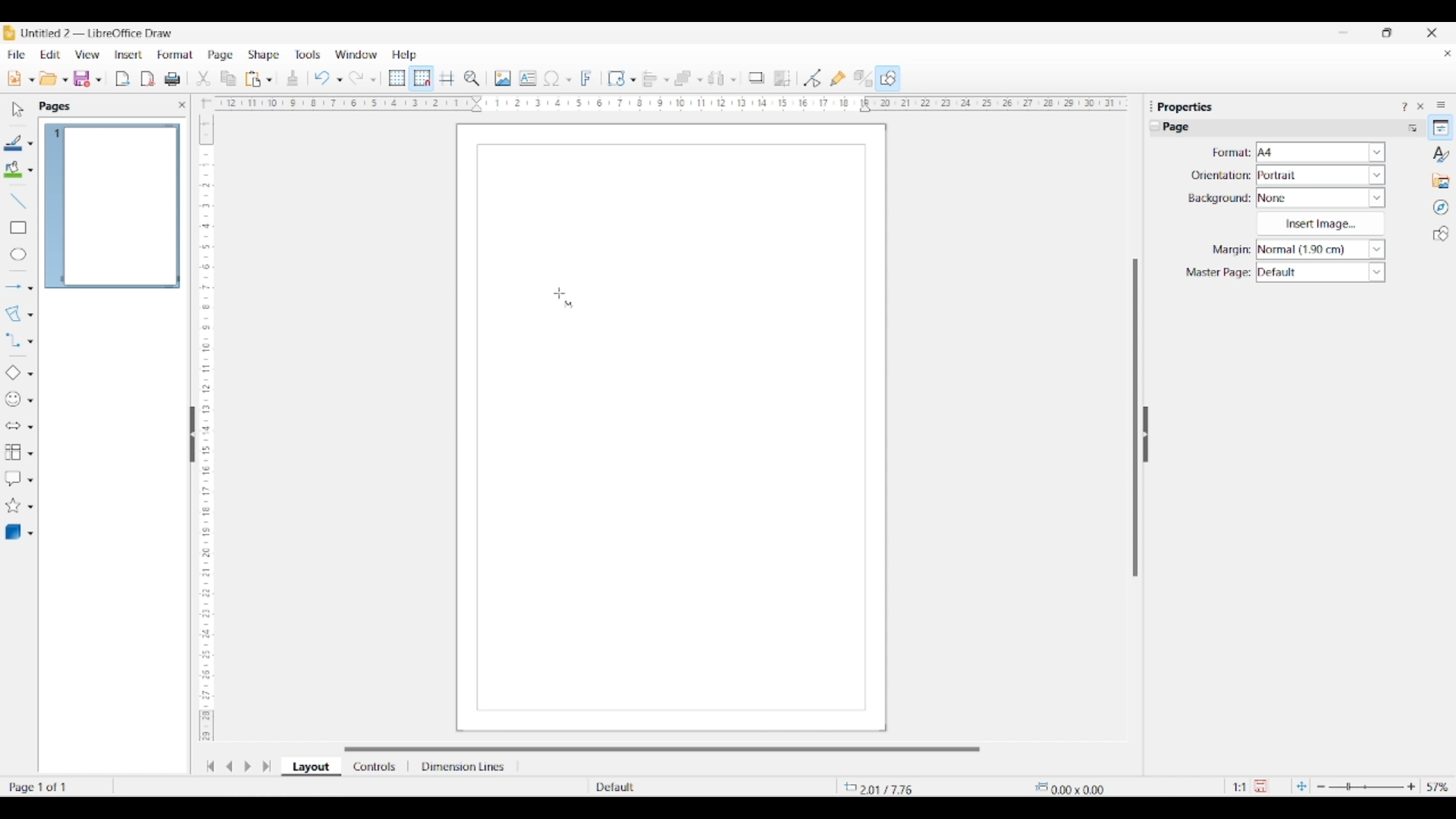 The width and height of the screenshot is (1456, 819). I want to click on More options, so click(1412, 127).